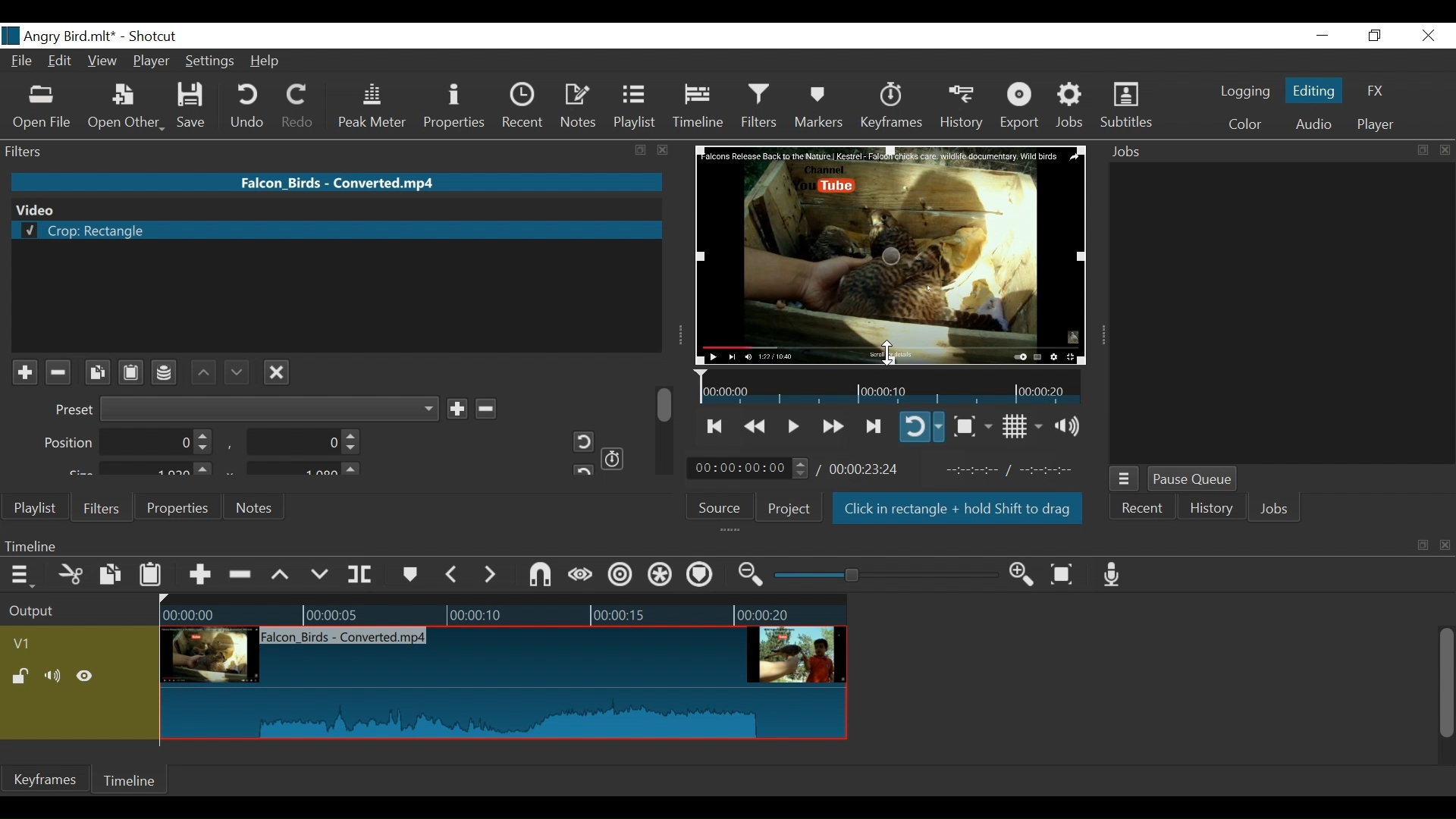 The image size is (1456, 819). I want to click on Subtitles, so click(1126, 105).